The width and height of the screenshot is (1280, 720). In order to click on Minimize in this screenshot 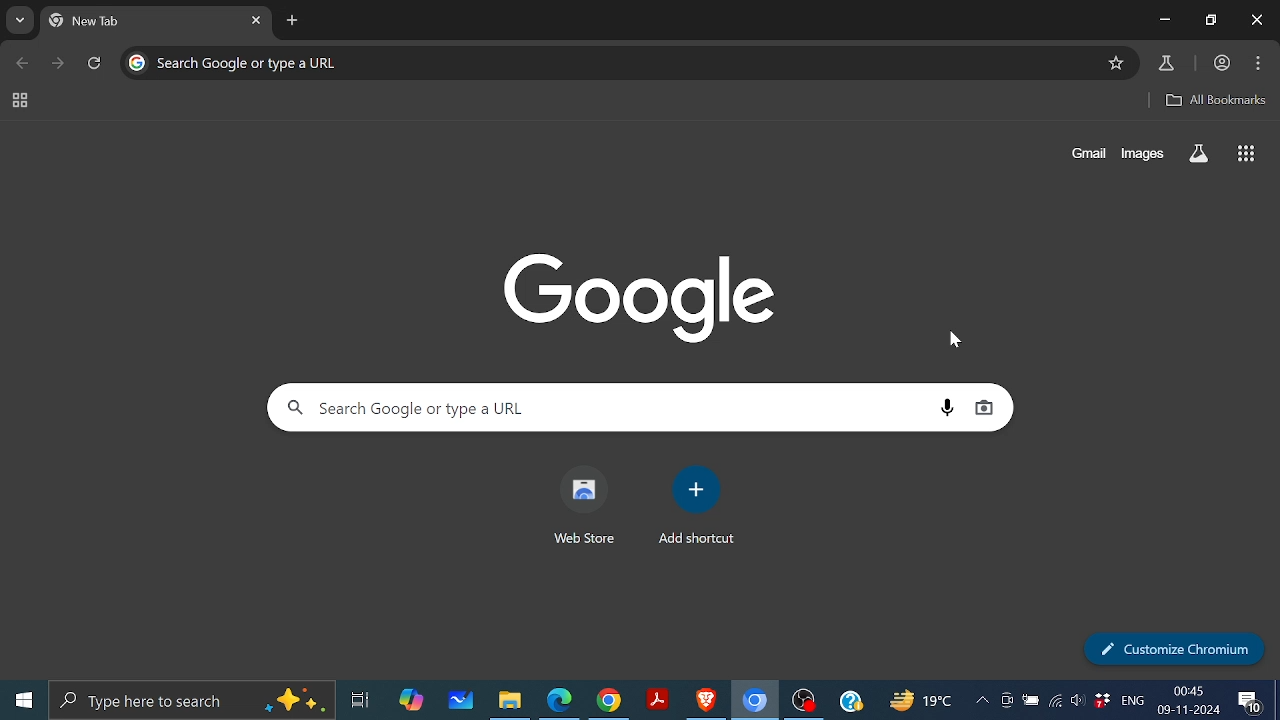, I will do `click(1165, 20)`.